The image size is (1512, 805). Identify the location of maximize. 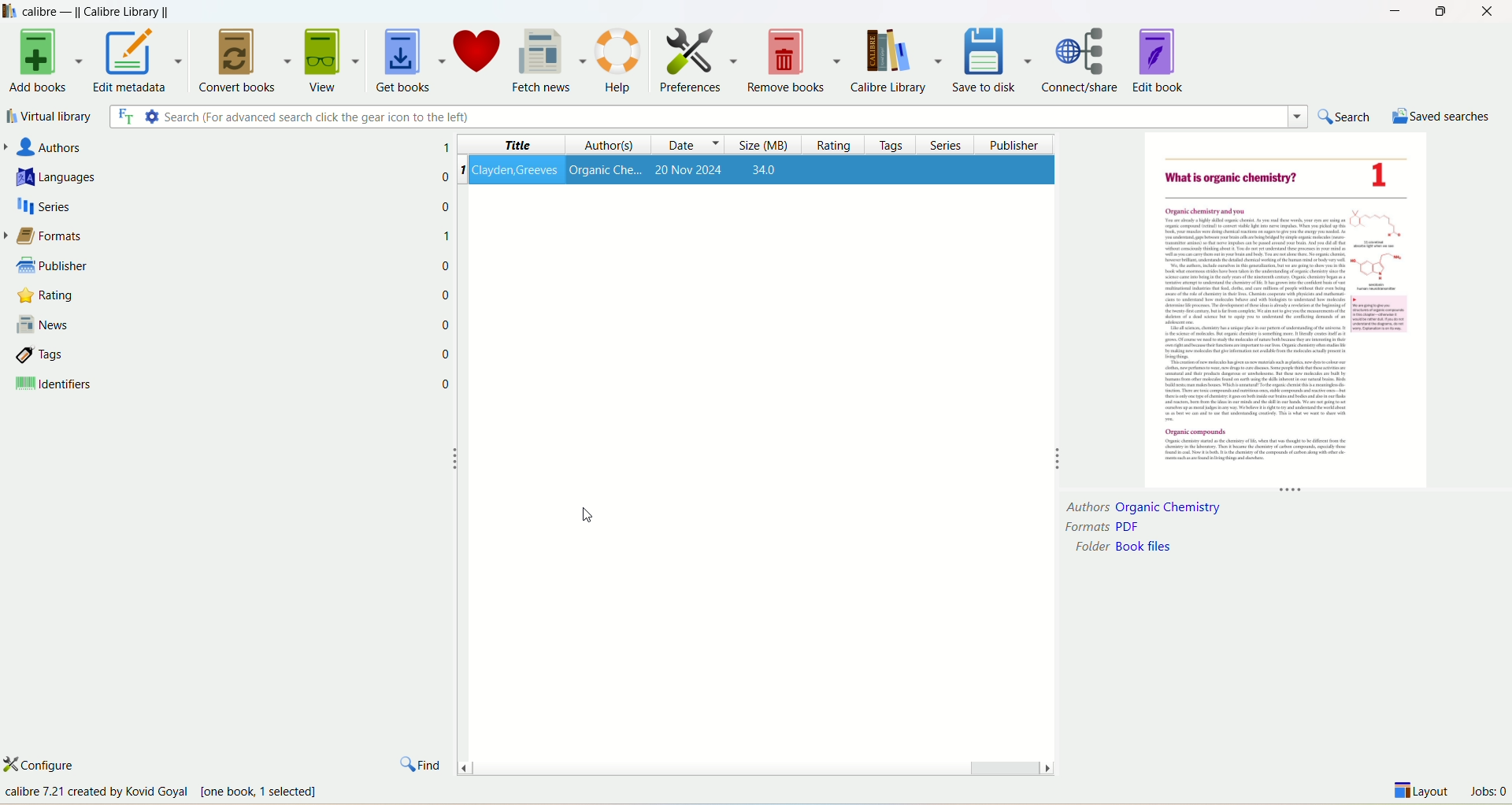
(1440, 12).